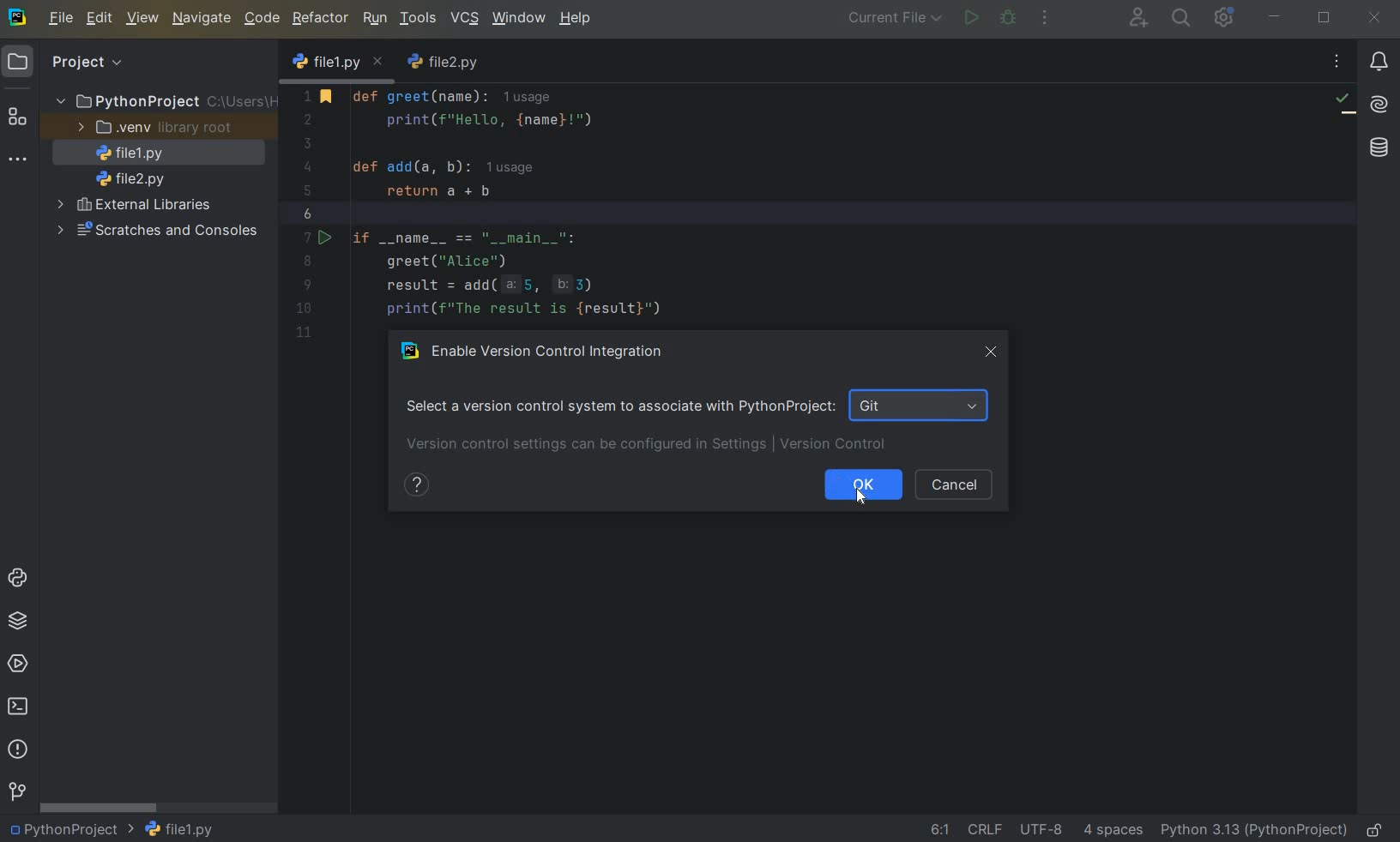 The image size is (1400, 842). Describe the element at coordinates (890, 20) in the screenshot. I see `current file` at that location.